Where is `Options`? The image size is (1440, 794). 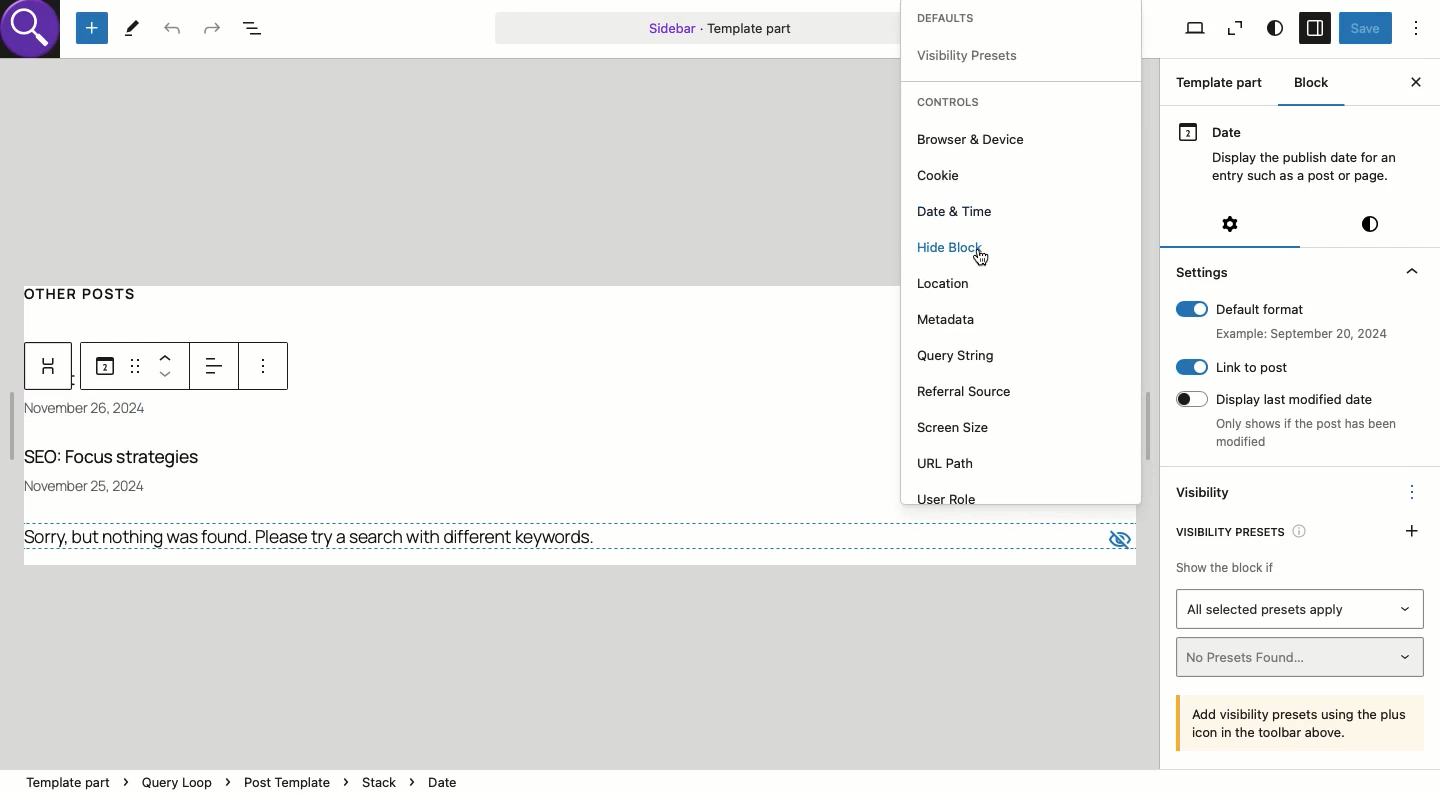
Options is located at coordinates (1417, 27).